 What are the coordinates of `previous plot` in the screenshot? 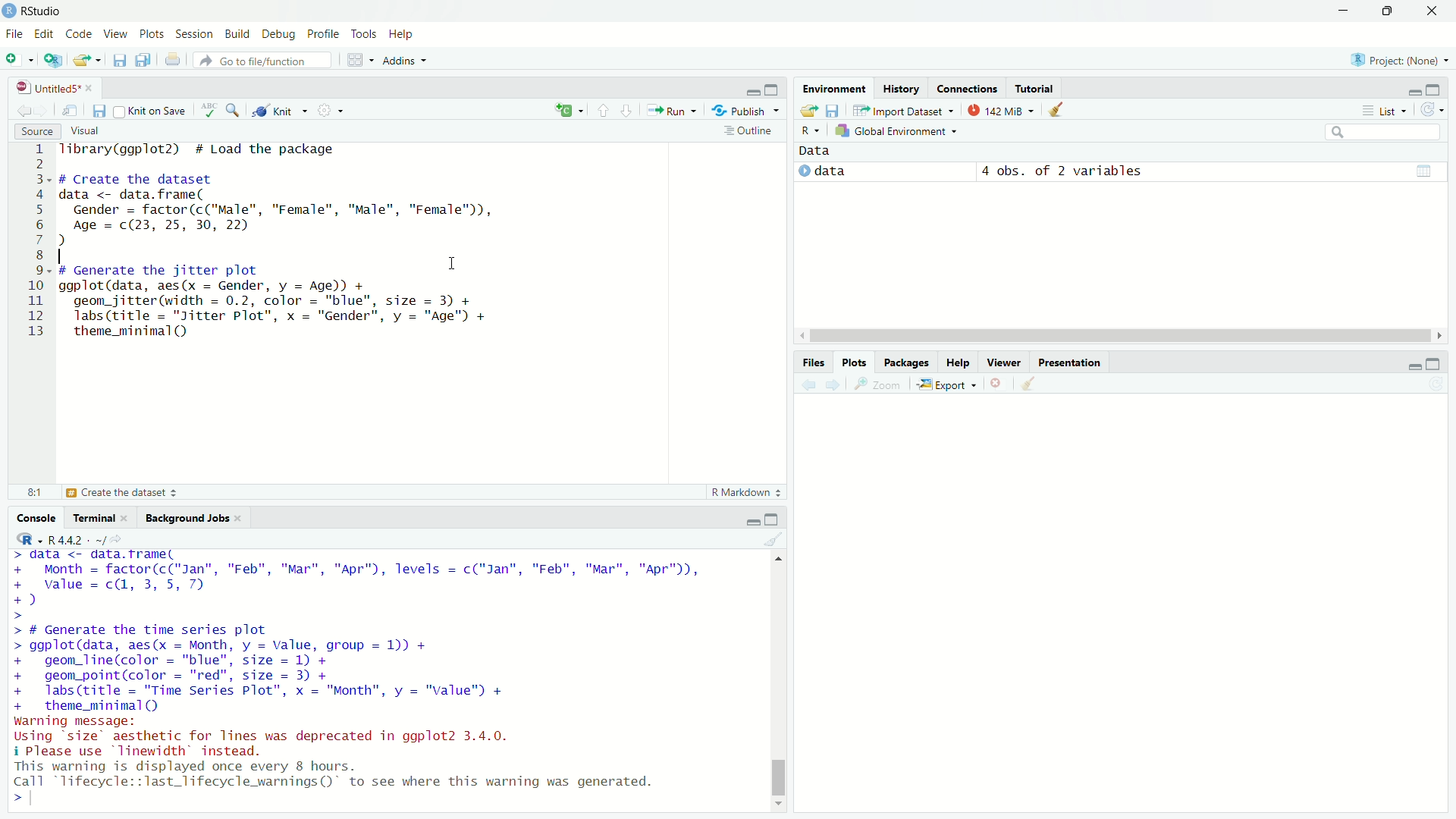 It's located at (807, 384).